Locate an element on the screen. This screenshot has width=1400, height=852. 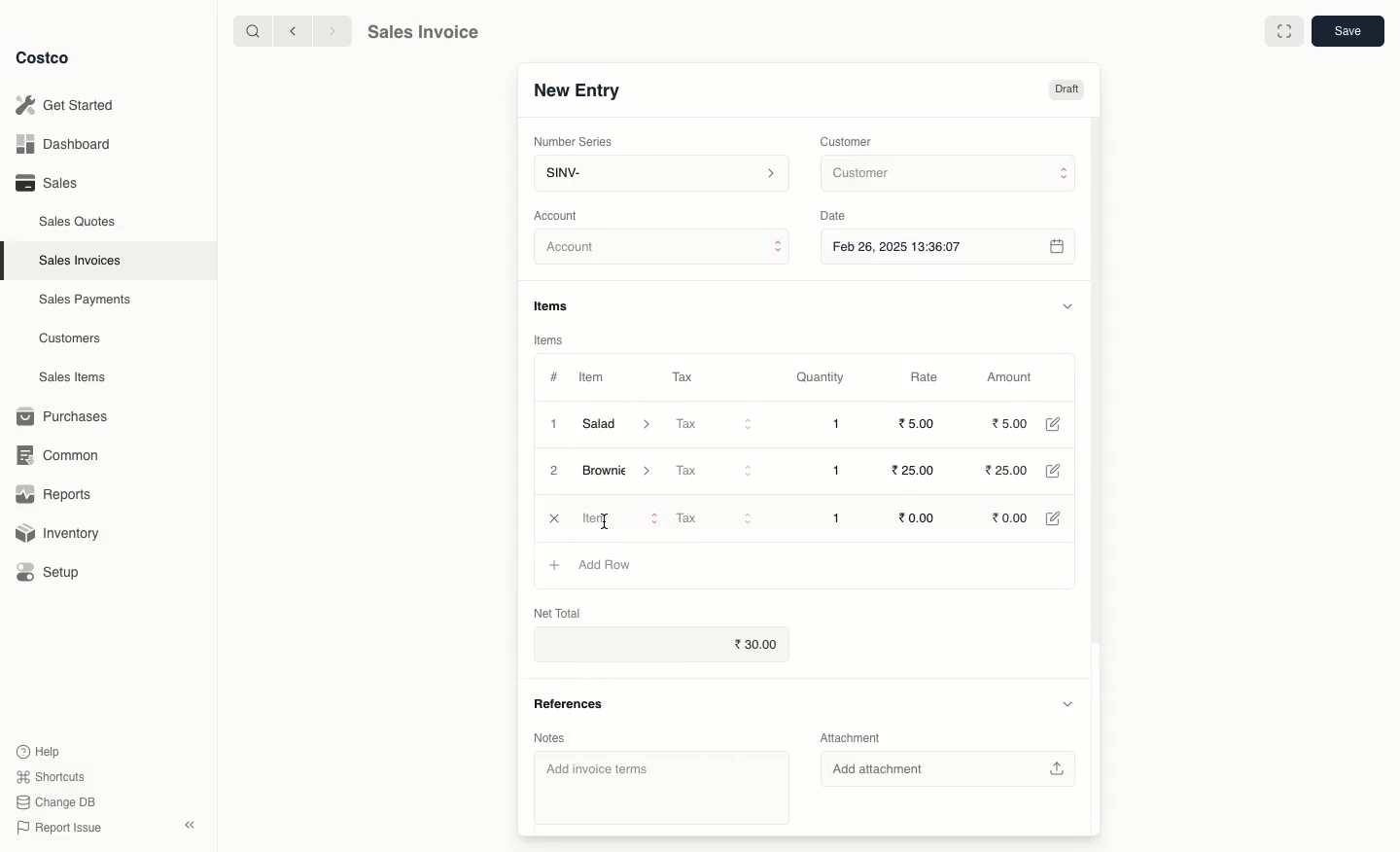
Close is located at coordinates (553, 520).